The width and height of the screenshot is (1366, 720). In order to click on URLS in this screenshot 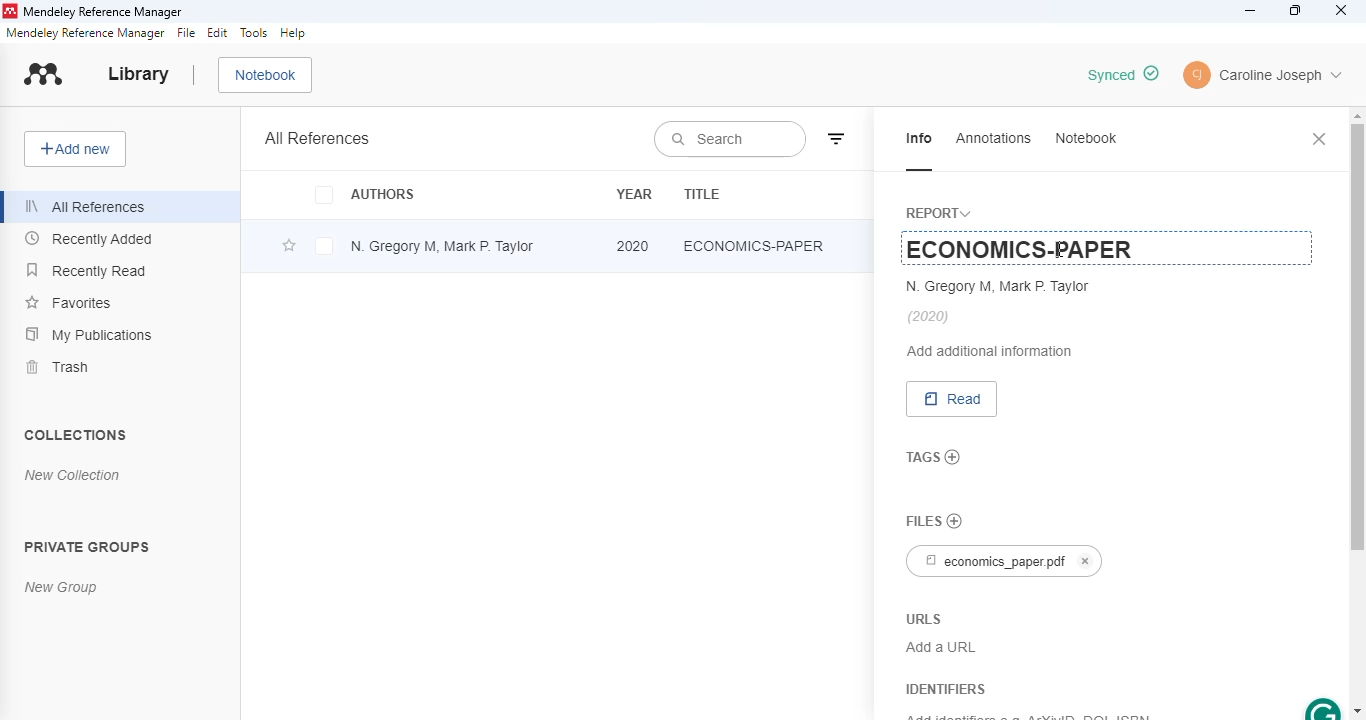, I will do `click(923, 618)`.